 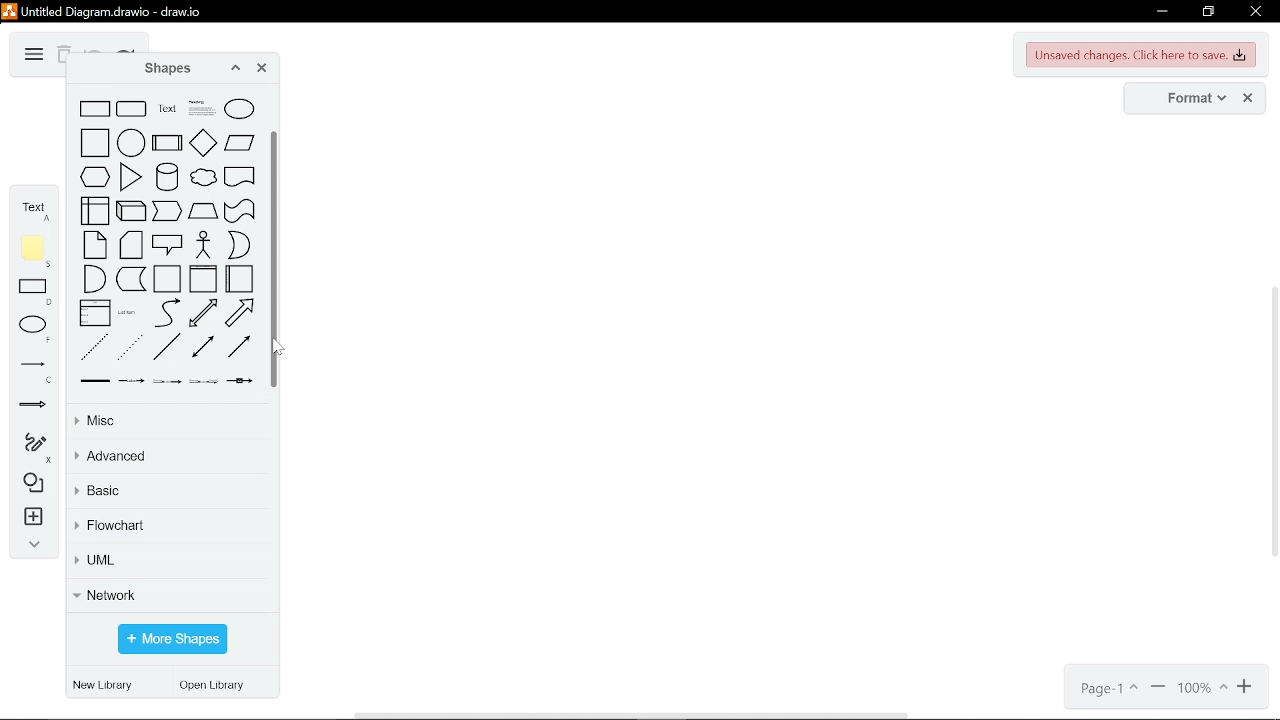 I want to click on container, so click(x=167, y=279).